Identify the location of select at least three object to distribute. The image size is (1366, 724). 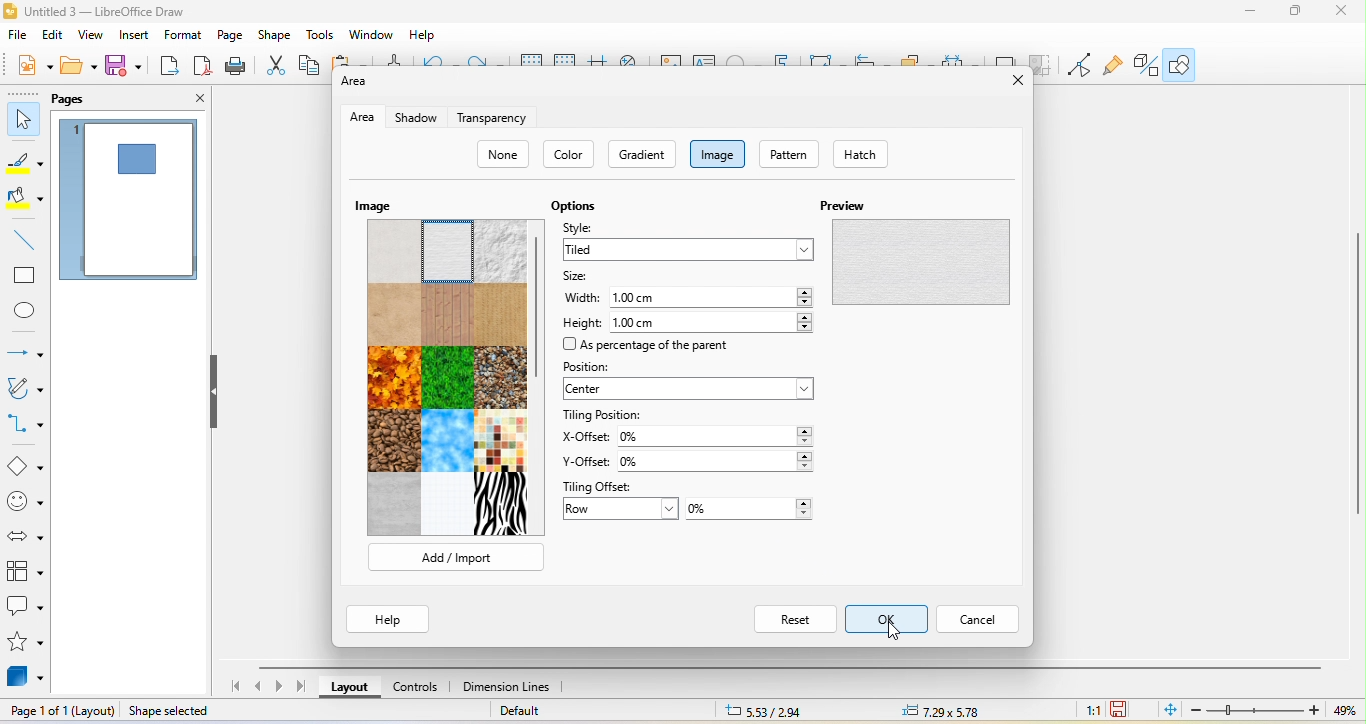
(959, 59).